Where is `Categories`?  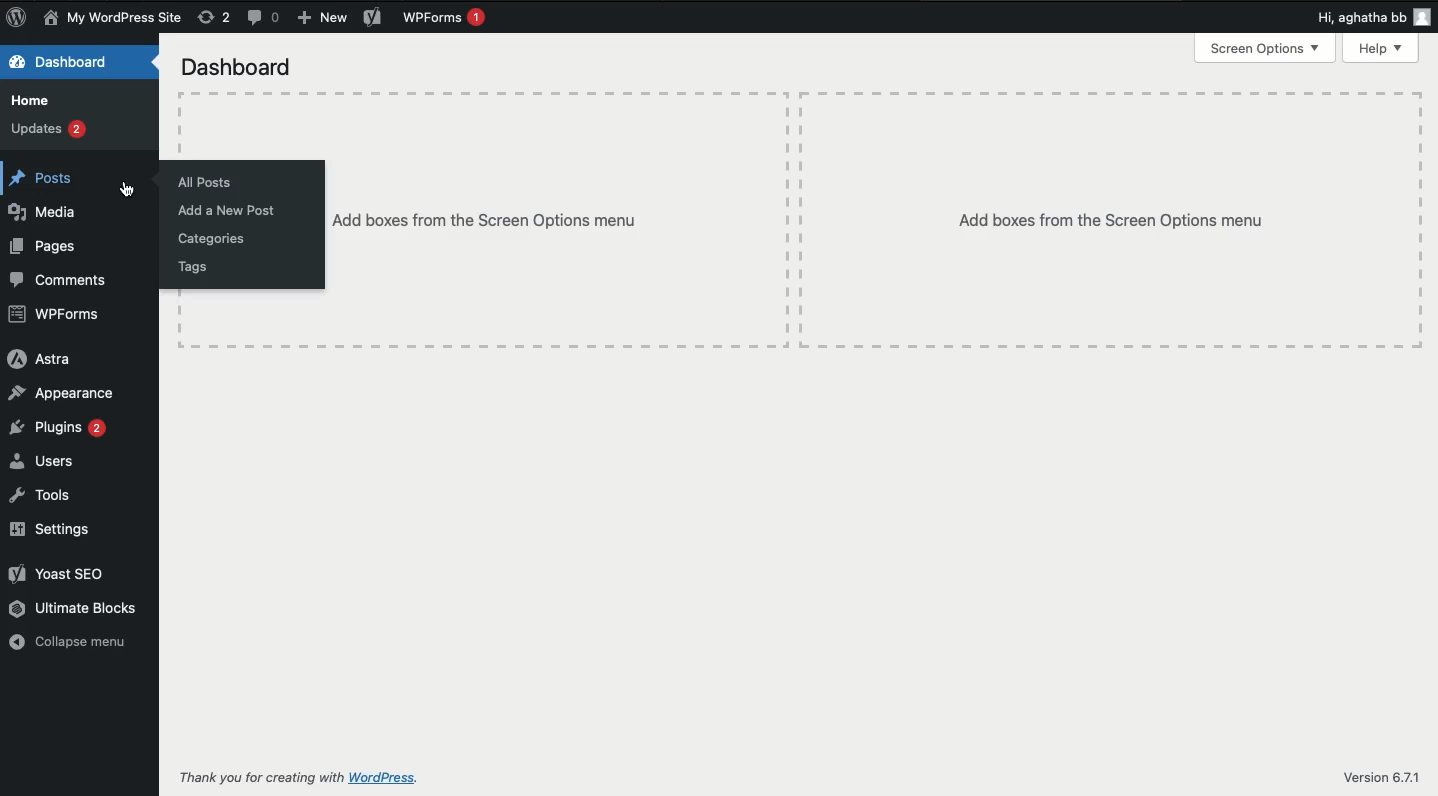
Categories is located at coordinates (213, 239).